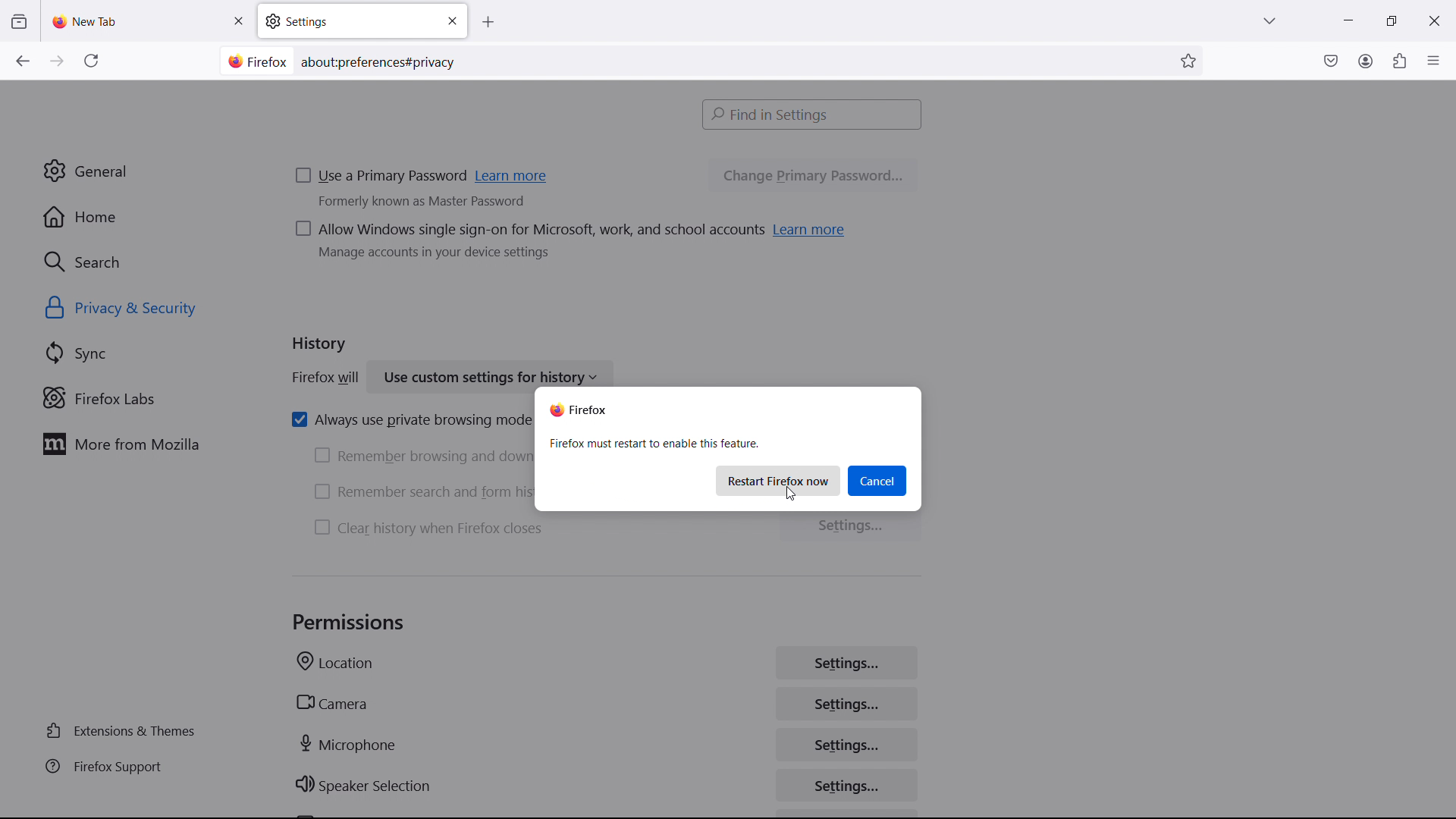 The image size is (1456, 819). Describe the element at coordinates (149, 398) in the screenshot. I see `firefox labs` at that location.